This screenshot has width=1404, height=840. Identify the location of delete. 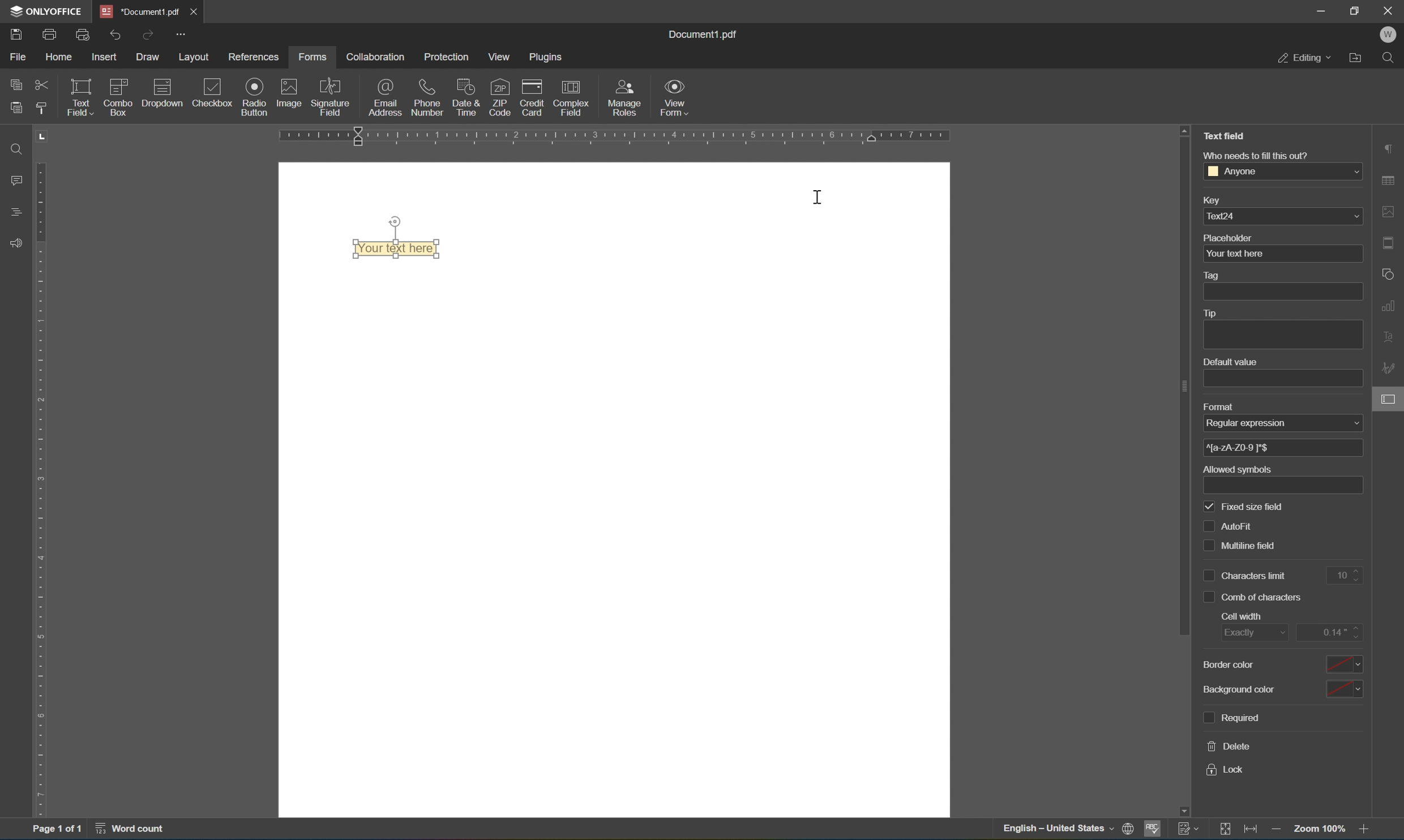
(1230, 746).